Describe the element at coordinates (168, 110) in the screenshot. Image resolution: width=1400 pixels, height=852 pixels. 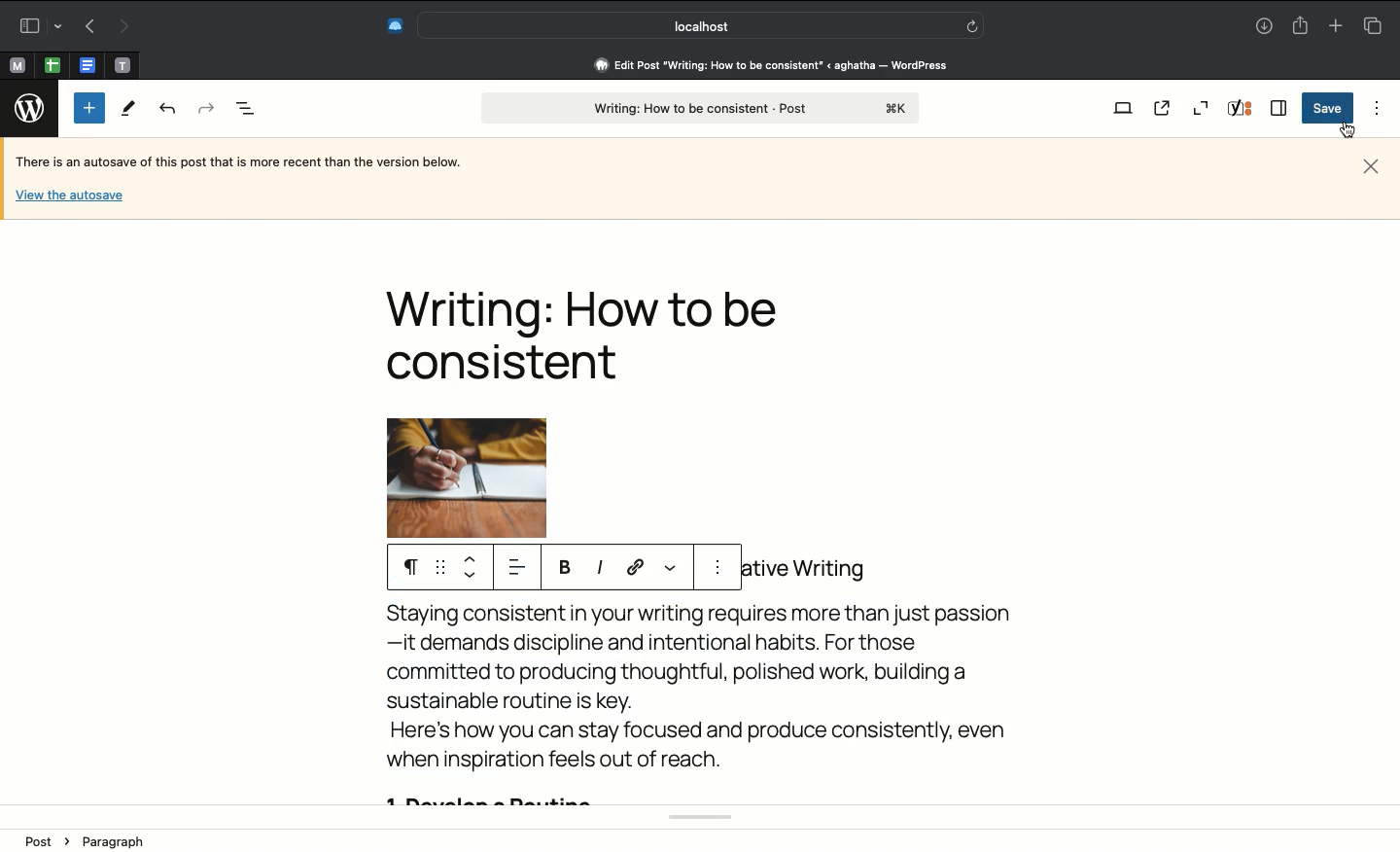
I see `Undo` at that location.